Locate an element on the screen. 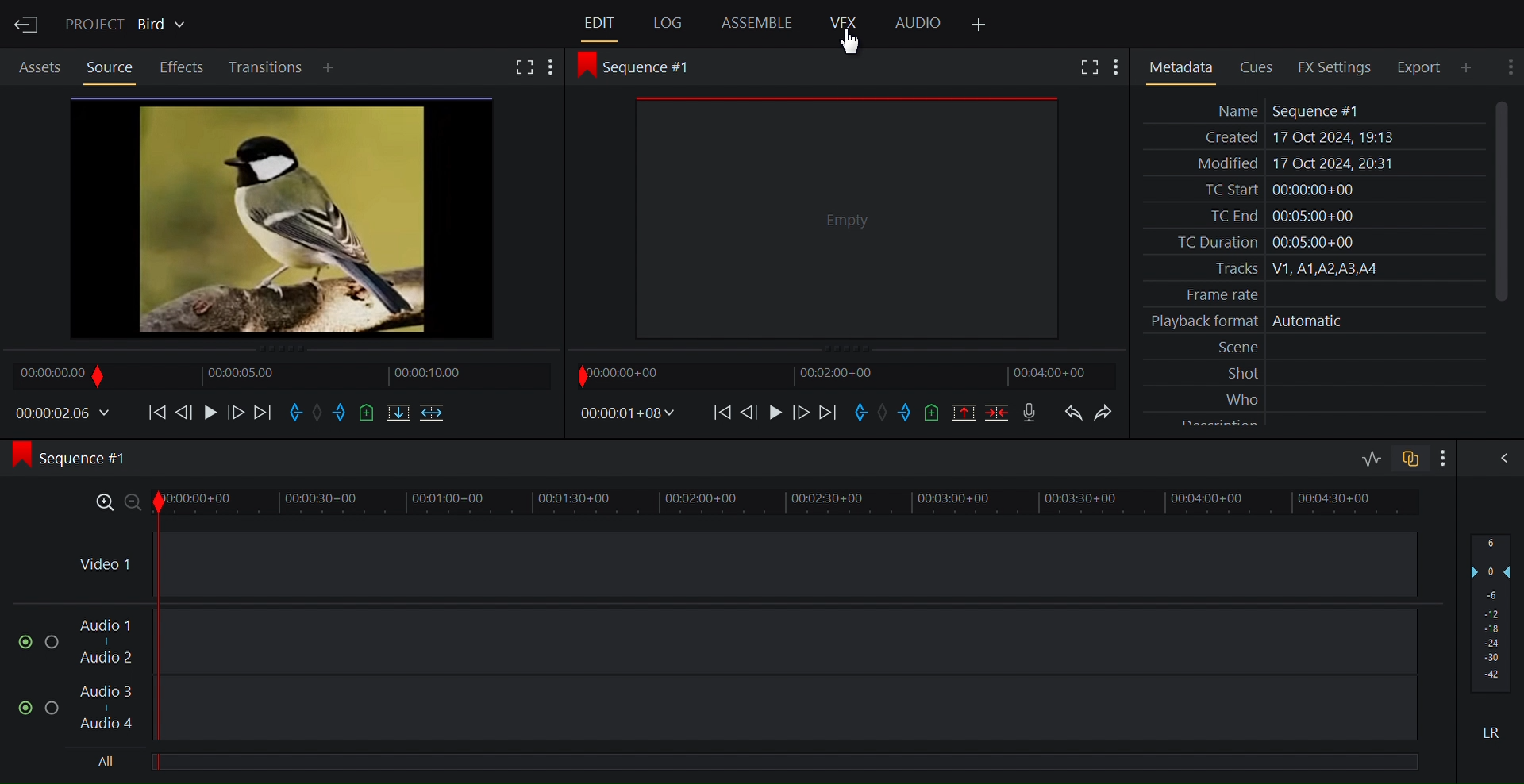  Replace into the target sequence is located at coordinates (399, 414).